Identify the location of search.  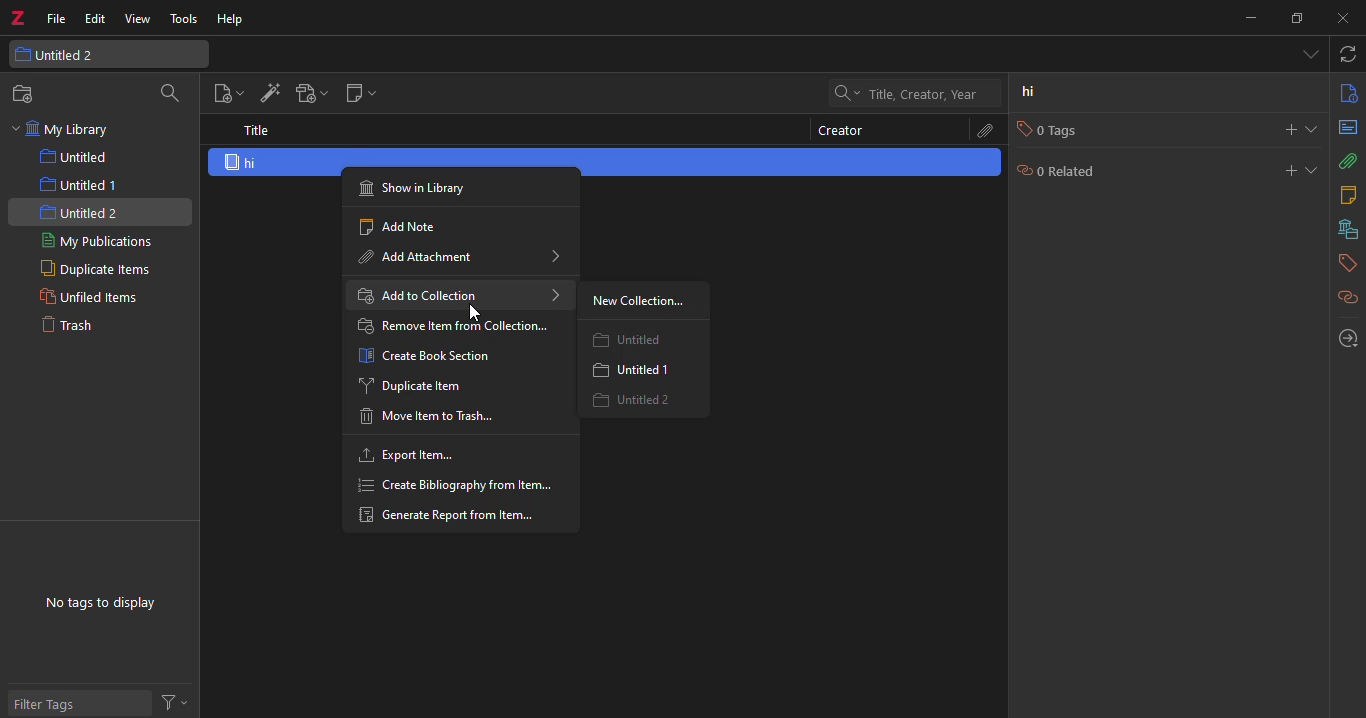
(913, 92).